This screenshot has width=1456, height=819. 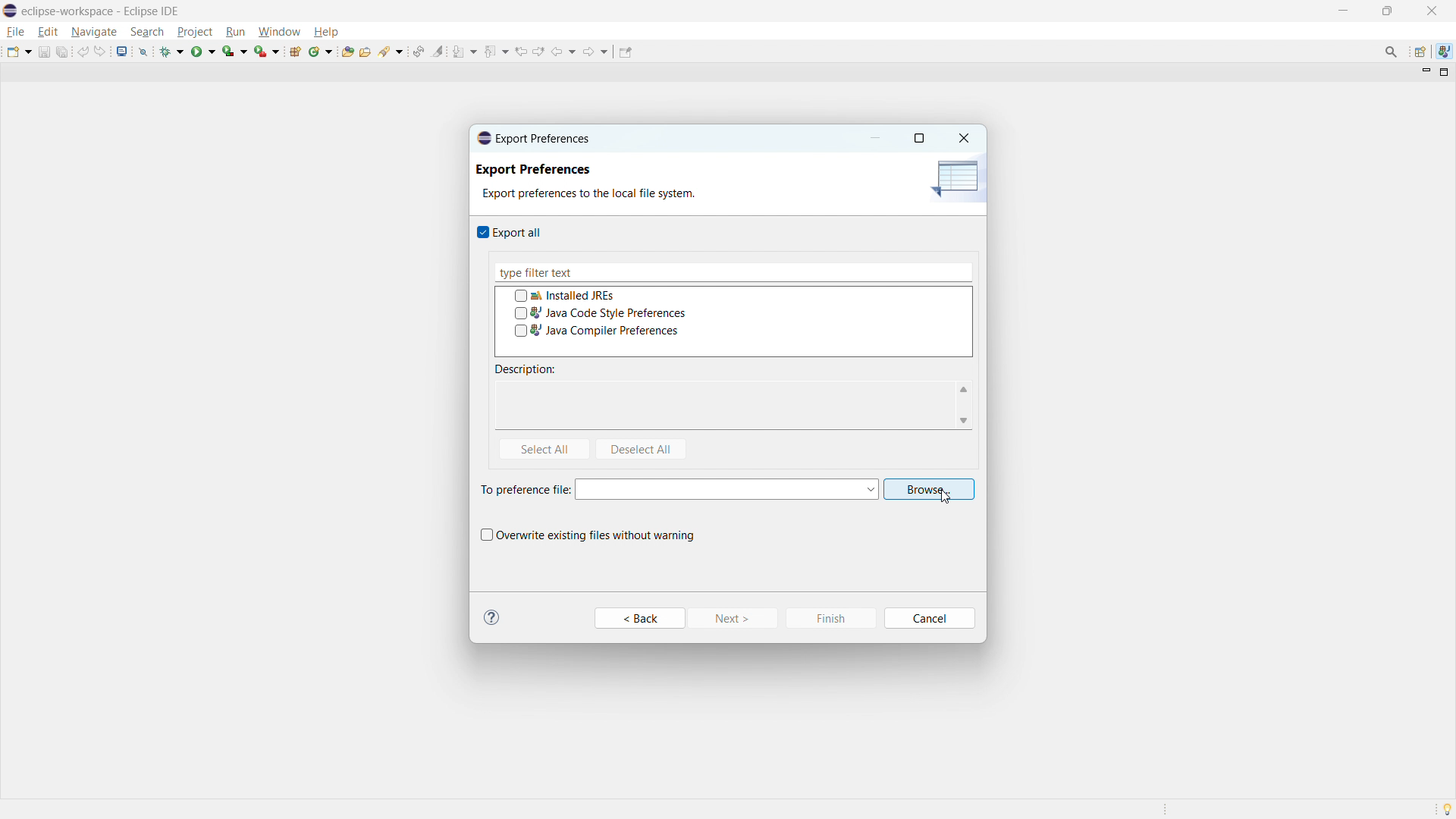 I want to click on Export preferences to the local file system, so click(x=604, y=197).